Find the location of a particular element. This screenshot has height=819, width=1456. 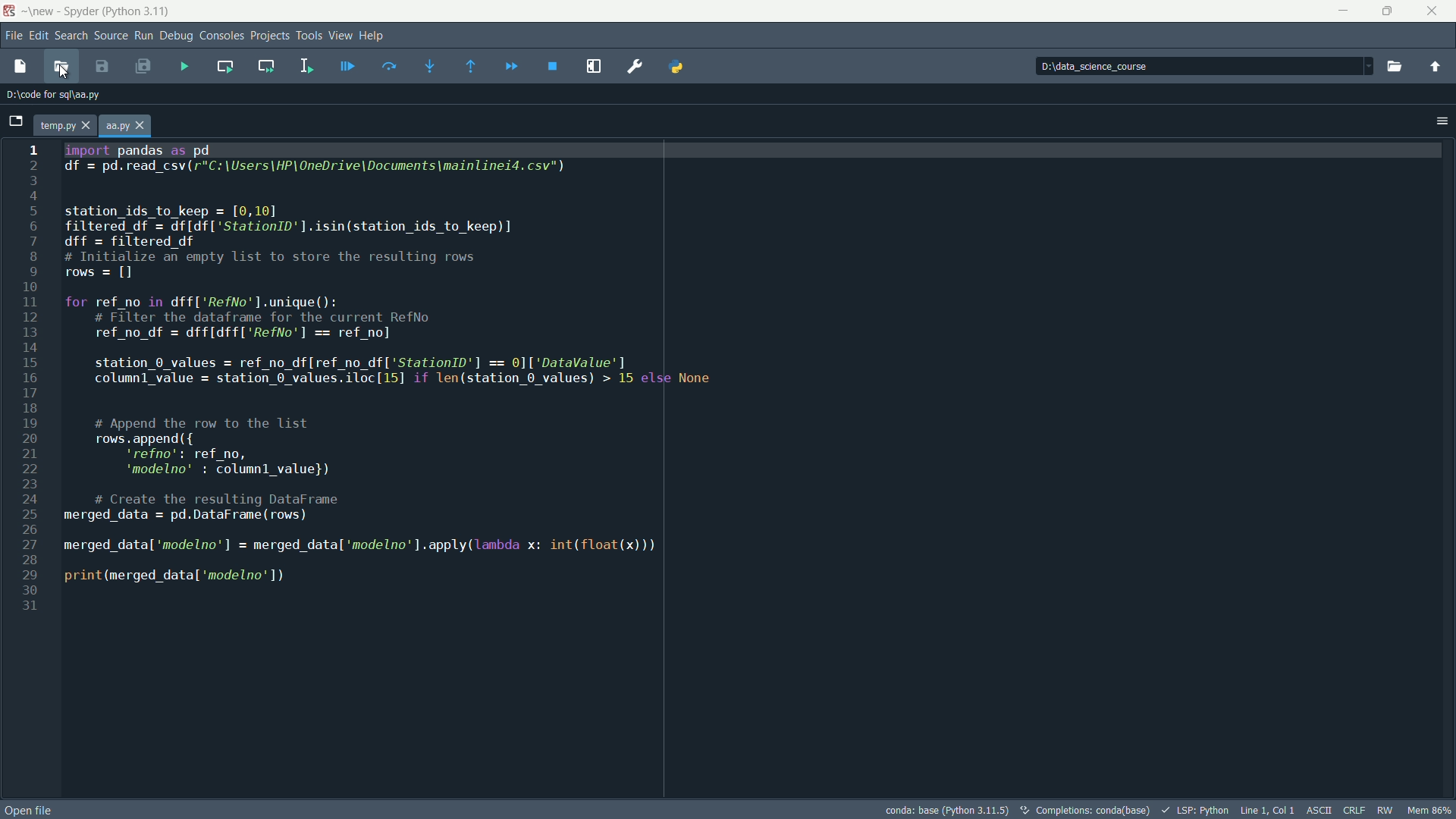

view menu is located at coordinates (340, 36).